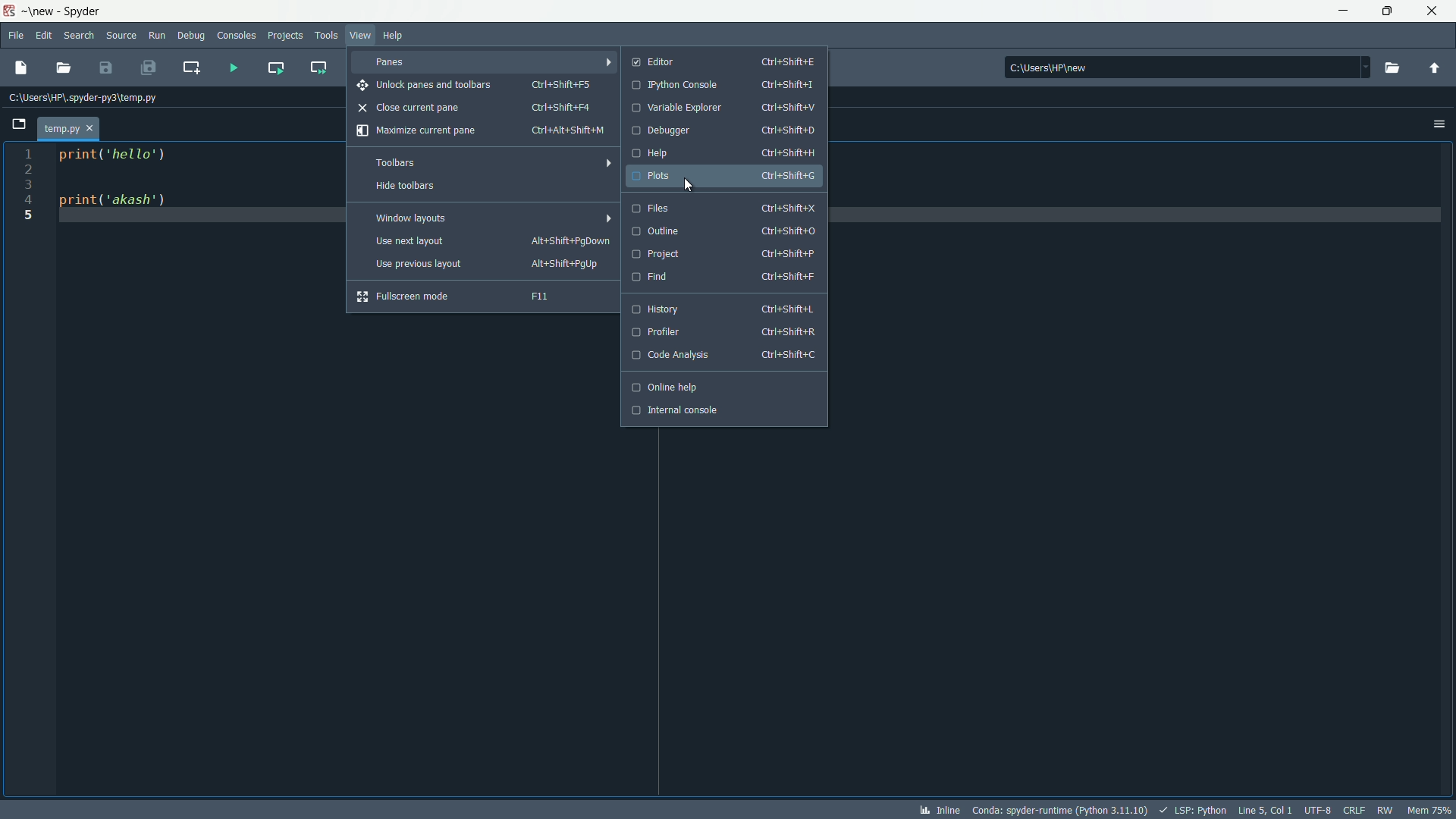 This screenshot has width=1456, height=819. What do you see at coordinates (317, 66) in the screenshot?
I see `run current cell and go to the next one` at bounding box center [317, 66].